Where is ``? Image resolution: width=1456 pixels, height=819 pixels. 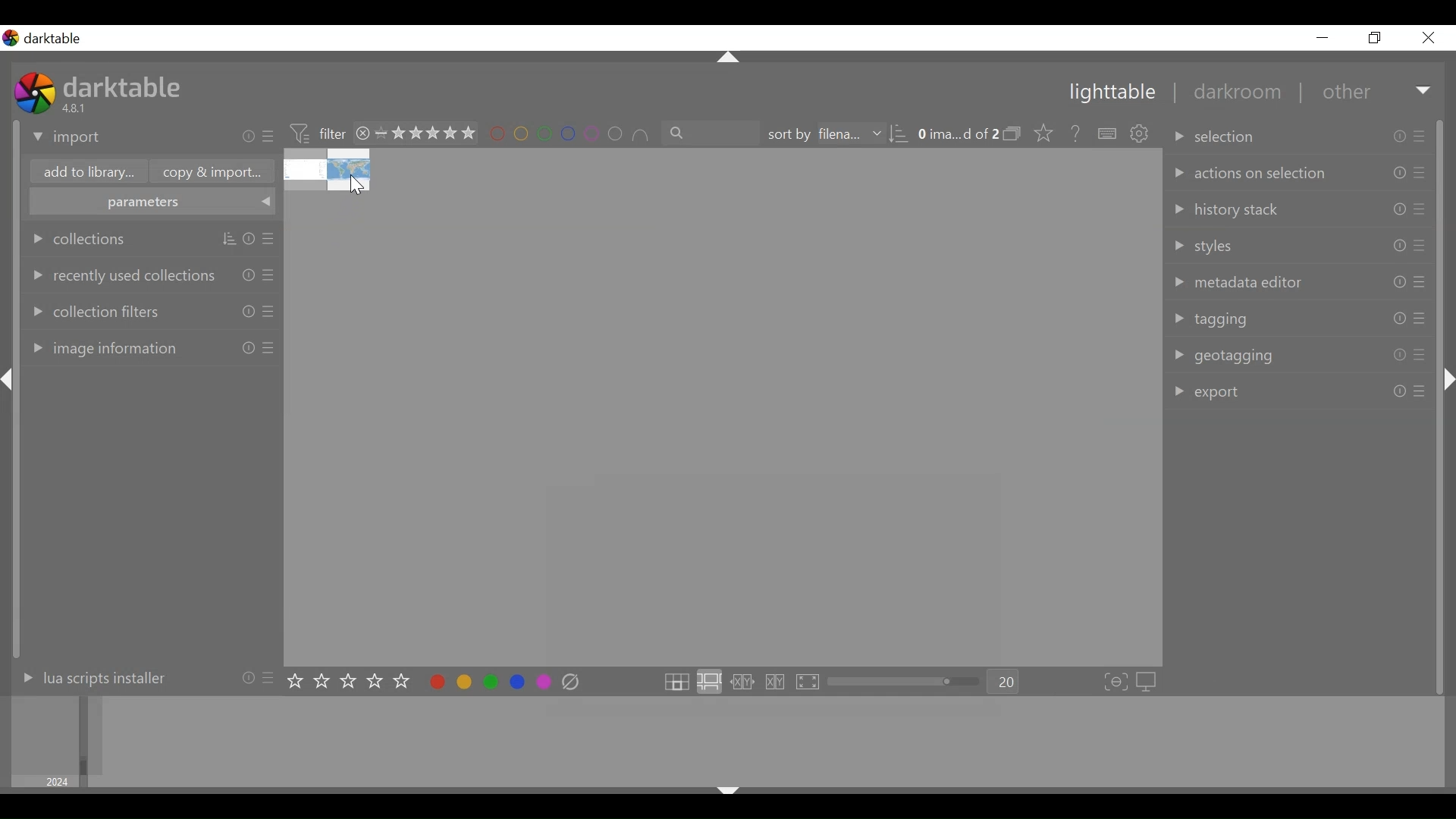  is located at coordinates (1420, 391).